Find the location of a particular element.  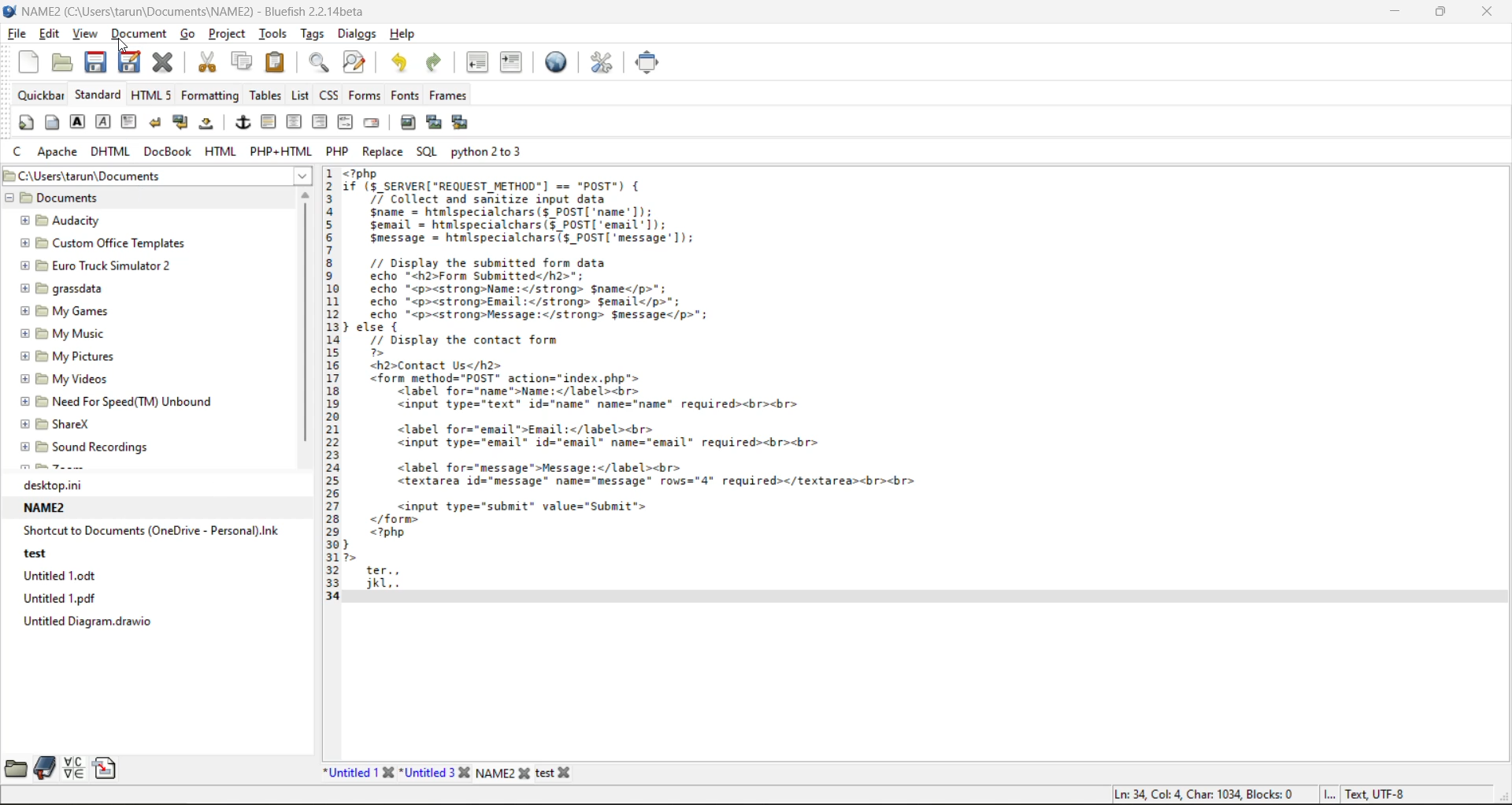

my games is located at coordinates (73, 310).